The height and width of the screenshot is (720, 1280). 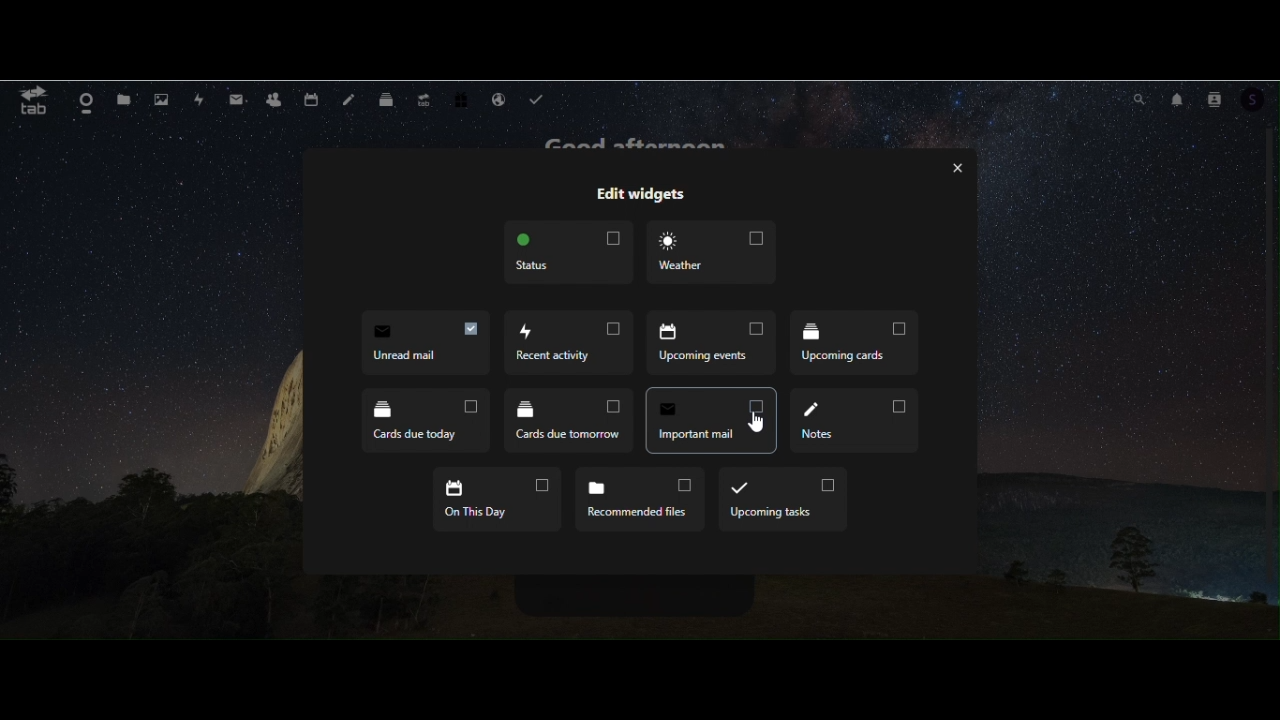 What do you see at coordinates (87, 101) in the screenshot?
I see `dashboard` at bounding box center [87, 101].